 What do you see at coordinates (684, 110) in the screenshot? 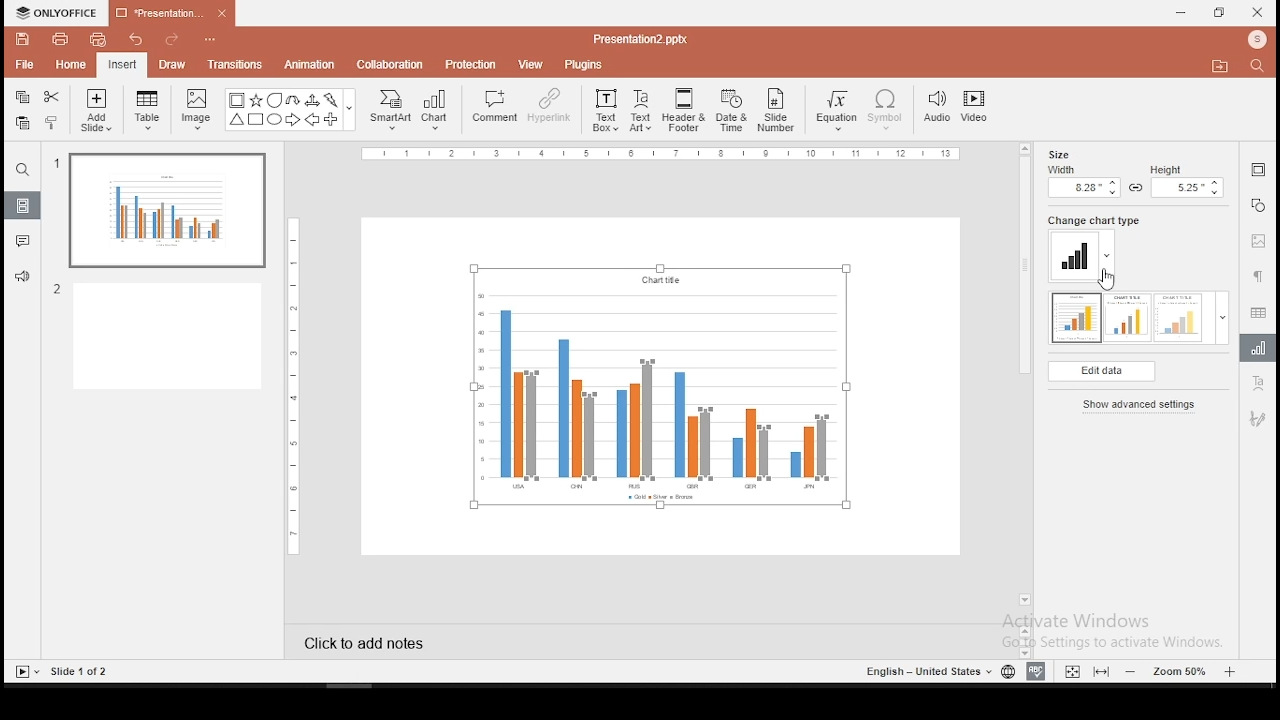
I see `header and footer` at bounding box center [684, 110].